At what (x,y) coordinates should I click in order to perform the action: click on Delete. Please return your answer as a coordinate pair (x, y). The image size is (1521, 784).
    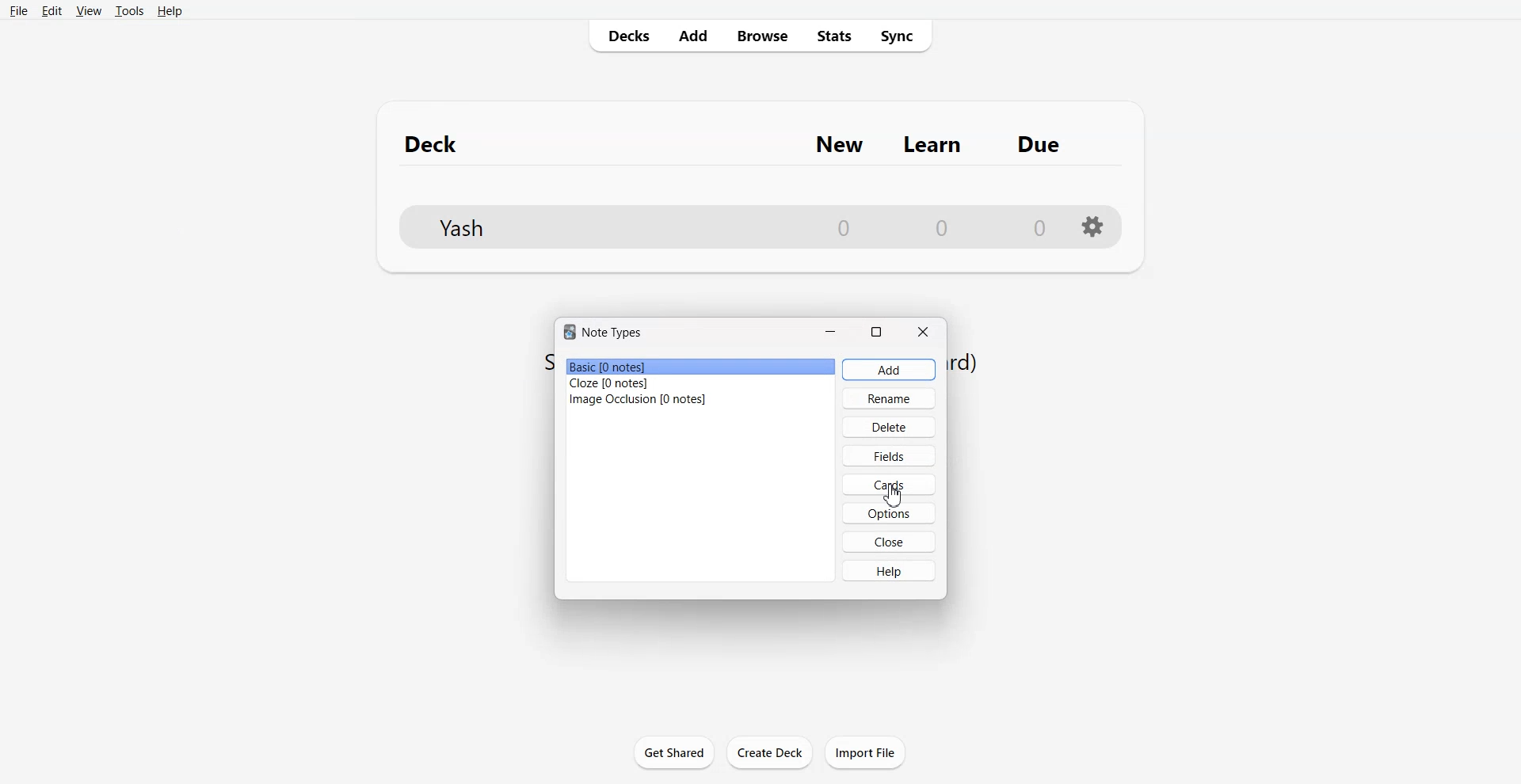
    Looking at the image, I should click on (889, 427).